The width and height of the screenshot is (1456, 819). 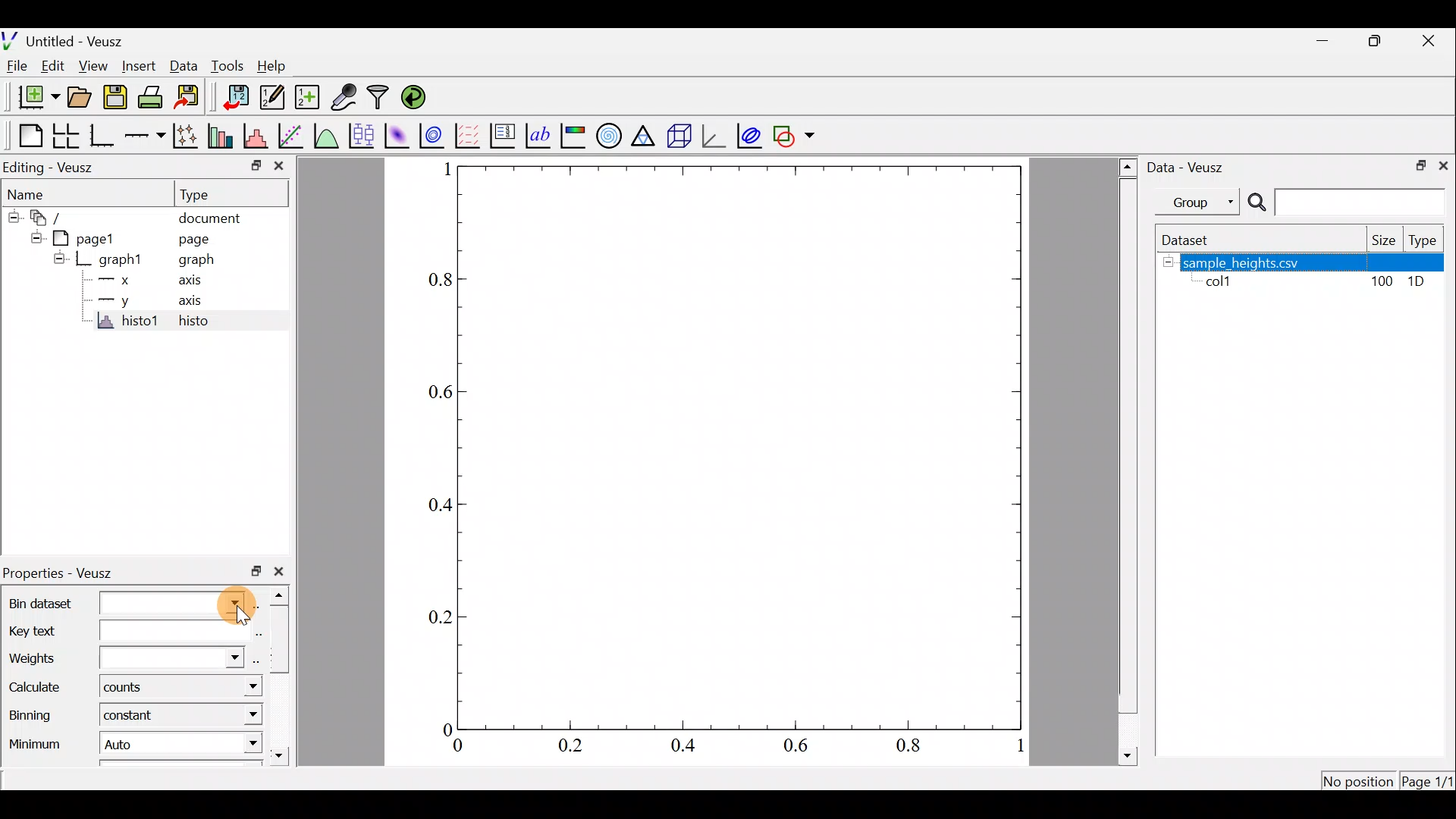 I want to click on Data - Veusz, so click(x=1191, y=168).